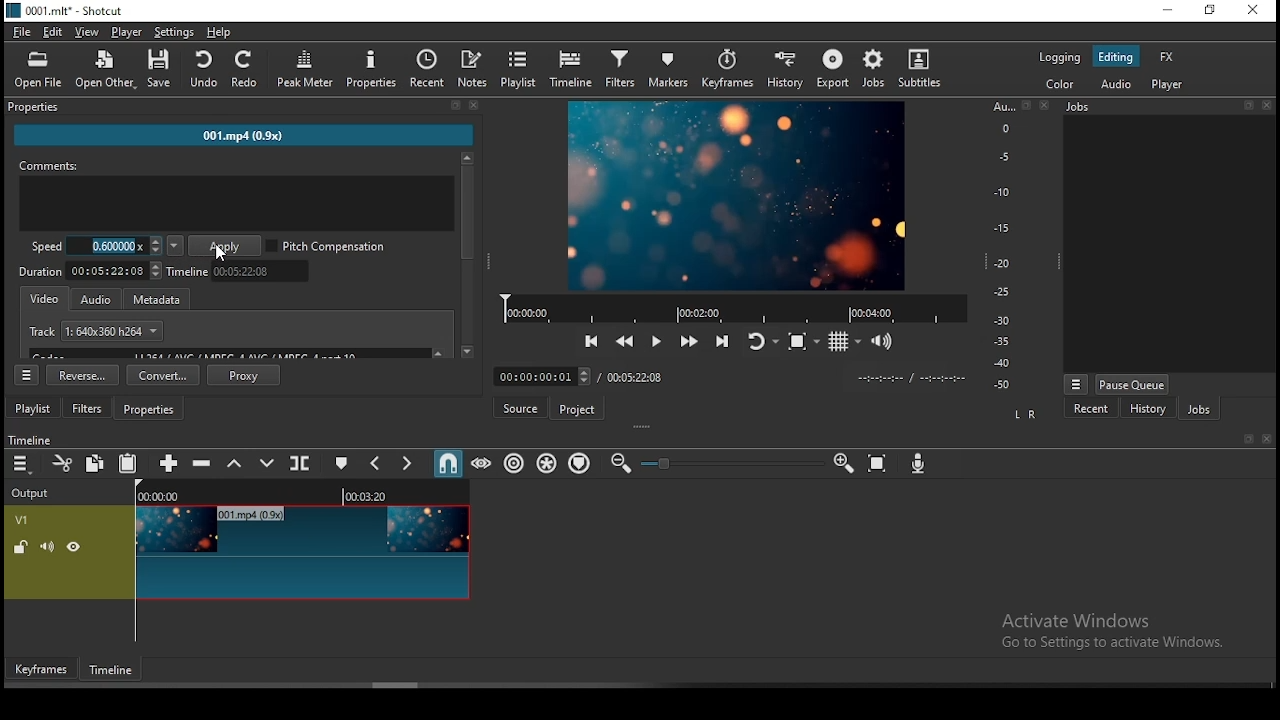 This screenshot has height=720, width=1280. I want to click on Open file, so click(36, 70).